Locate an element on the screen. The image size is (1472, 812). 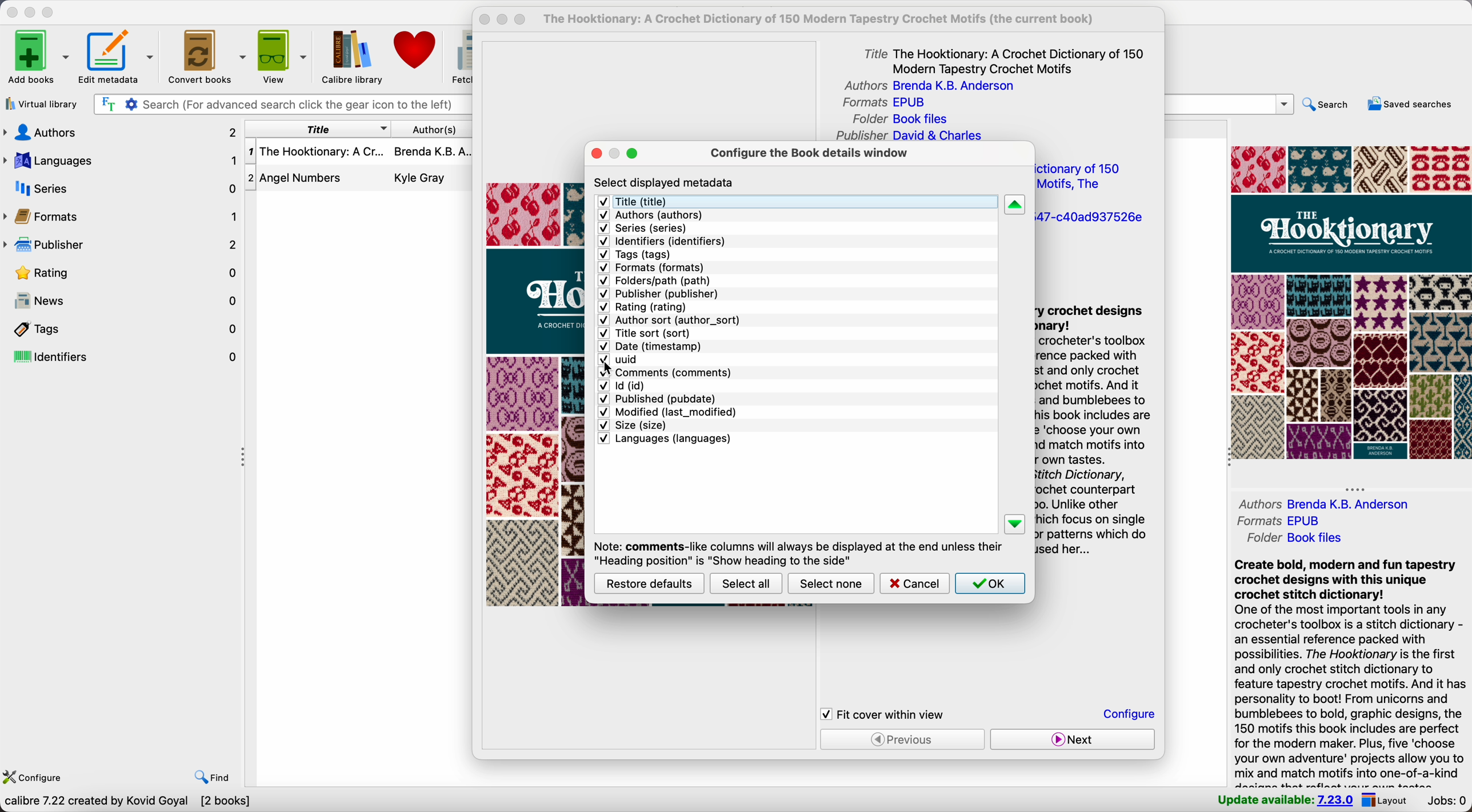
cancel is located at coordinates (914, 583).